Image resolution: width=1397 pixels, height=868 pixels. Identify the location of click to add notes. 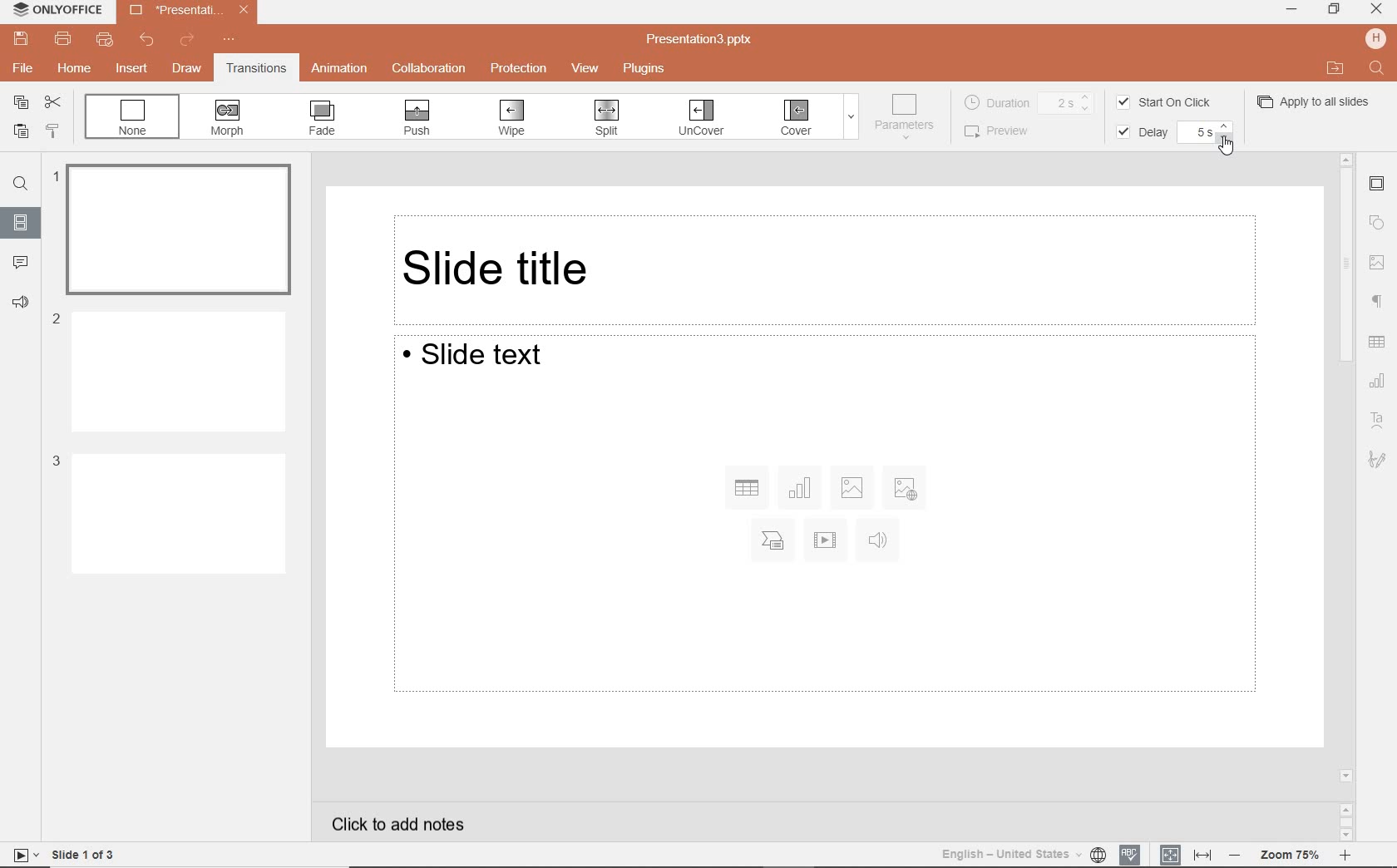
(405, 823).